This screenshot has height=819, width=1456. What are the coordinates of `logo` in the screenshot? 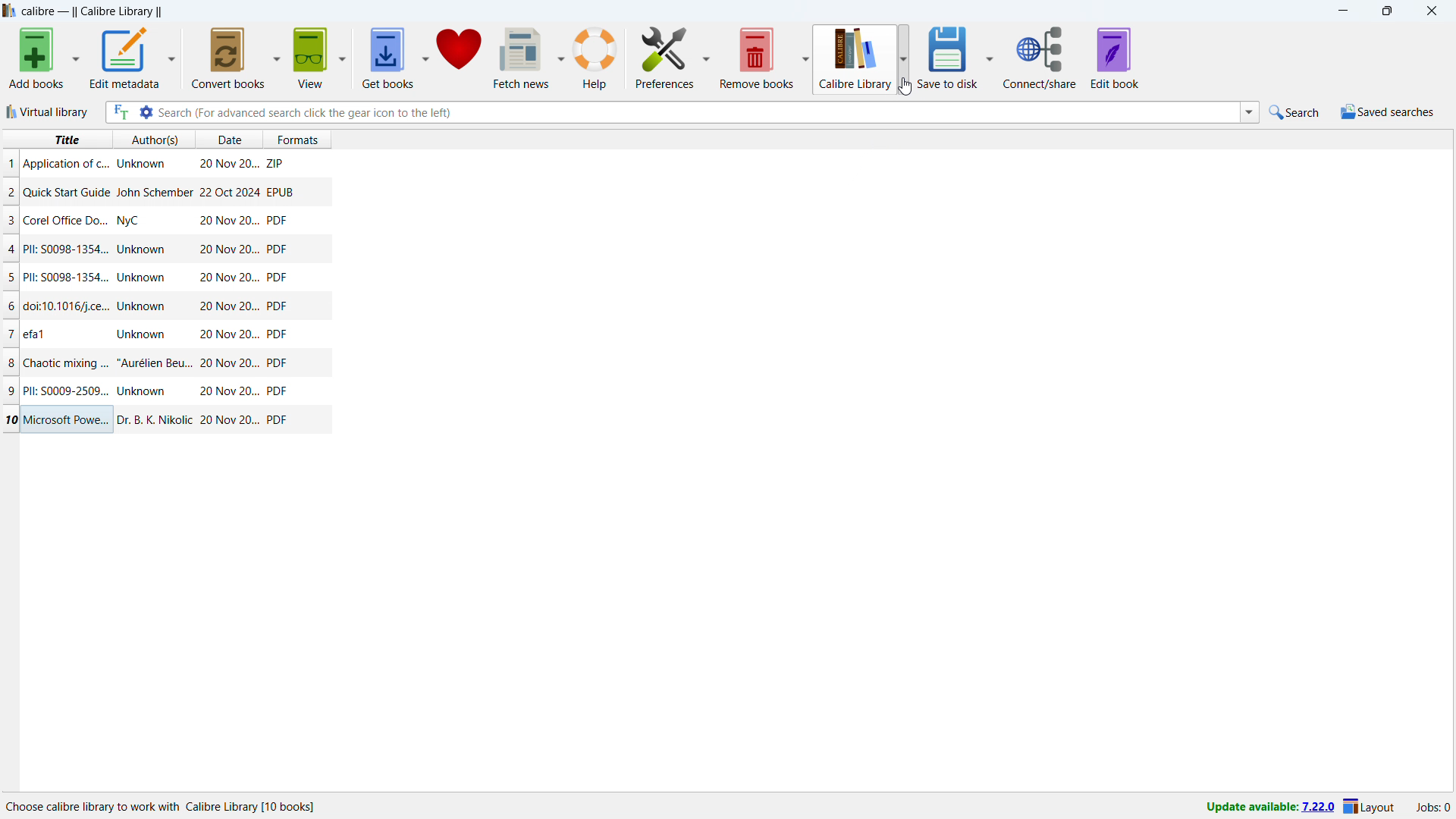 It's located at (10, 11).